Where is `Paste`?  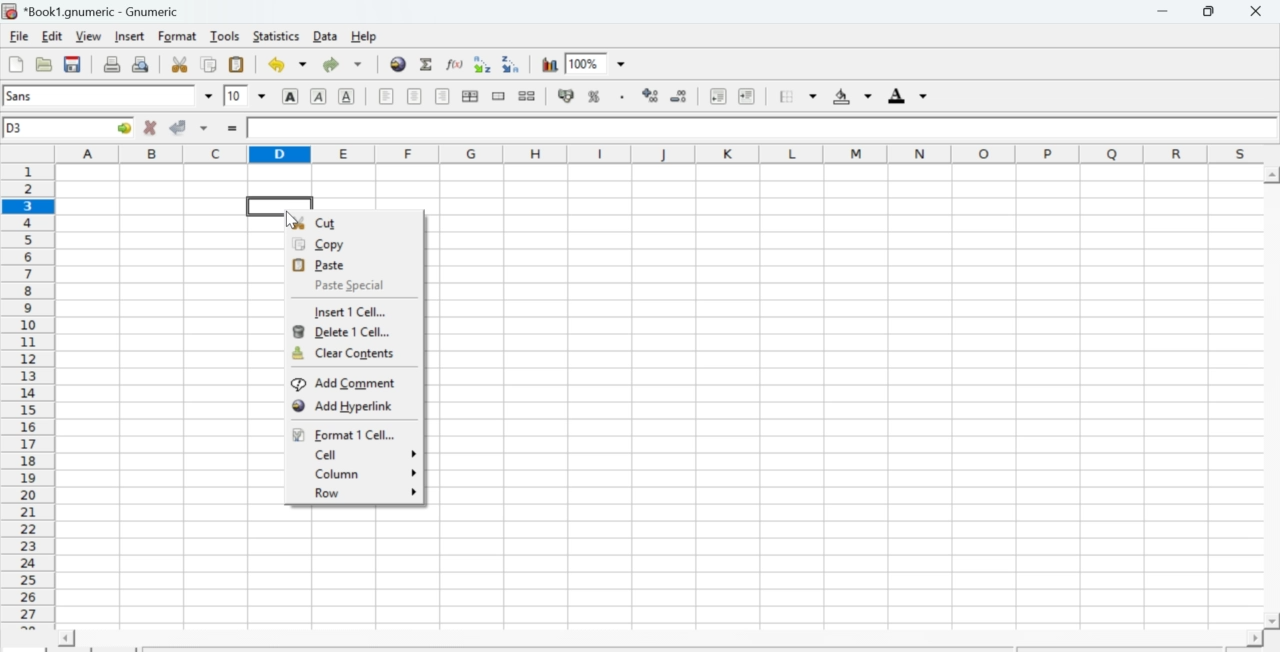 Paste is located at coordinates (237, 66).